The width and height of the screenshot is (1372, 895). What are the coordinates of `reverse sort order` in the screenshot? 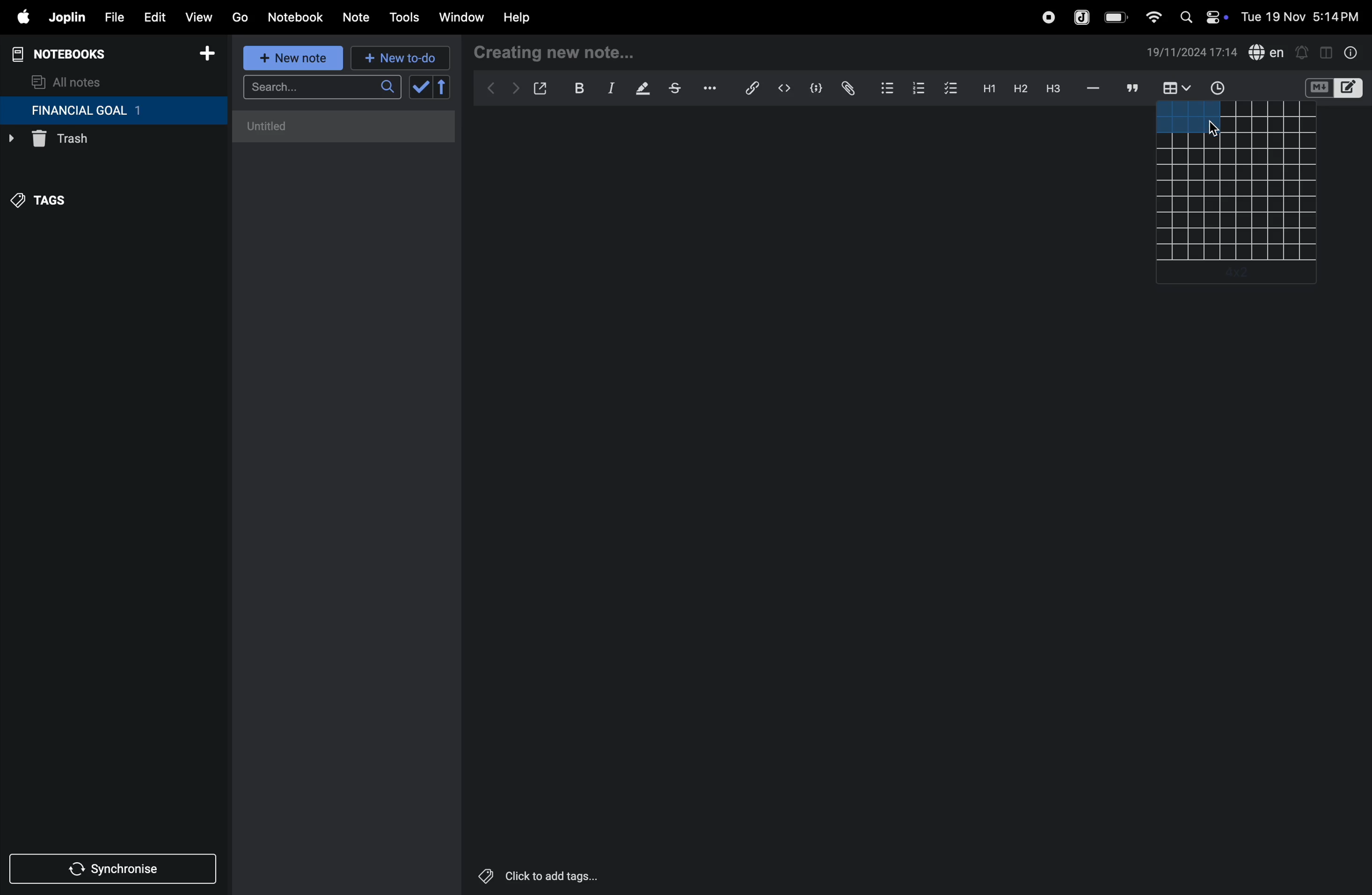 It's located at (443, 87).